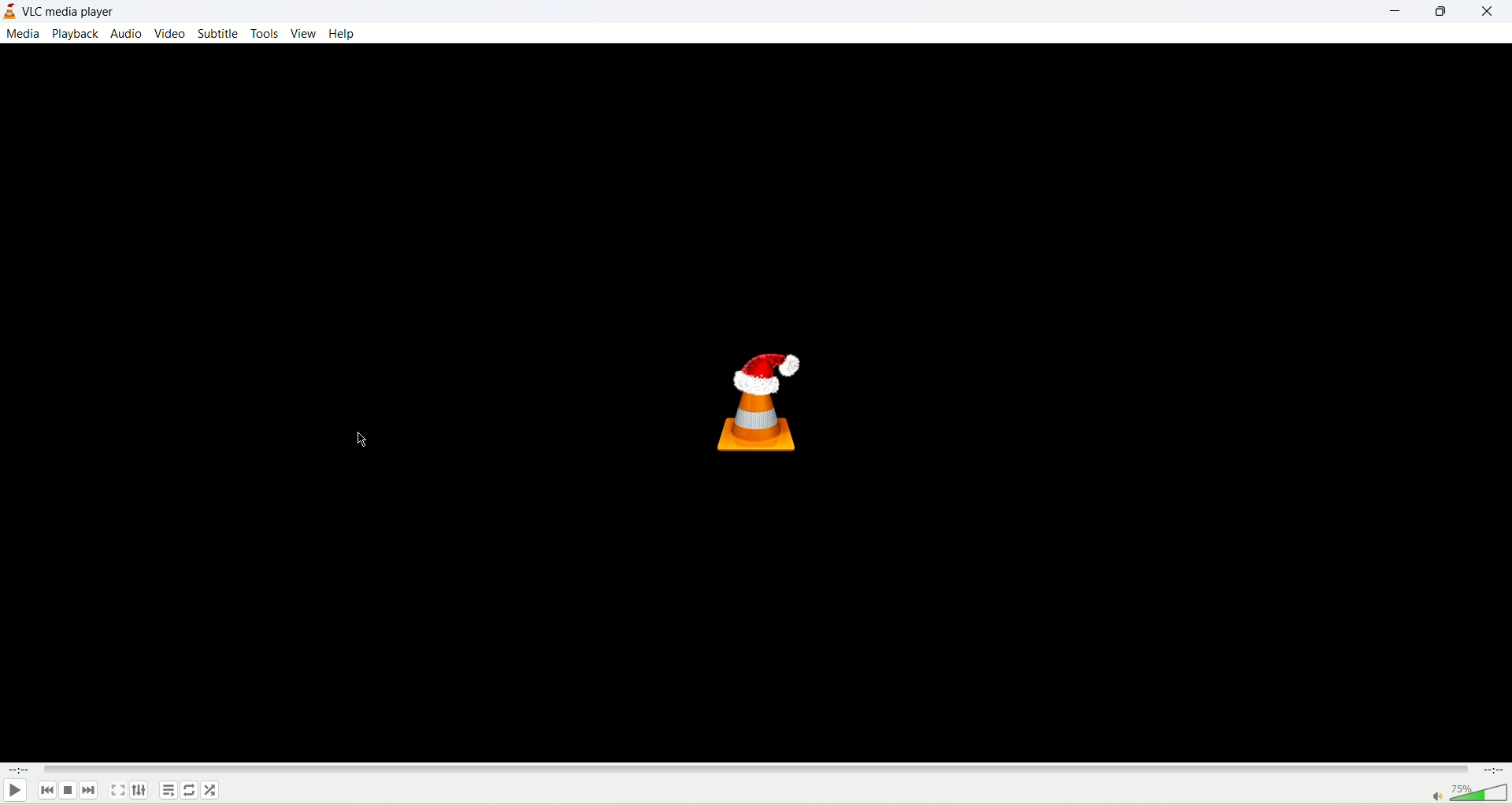 This screenshot has width=1512, height=805. What do you see at coordinates (169, 33) in the screenshot?
I see `video` at bounding box center [169, 33].